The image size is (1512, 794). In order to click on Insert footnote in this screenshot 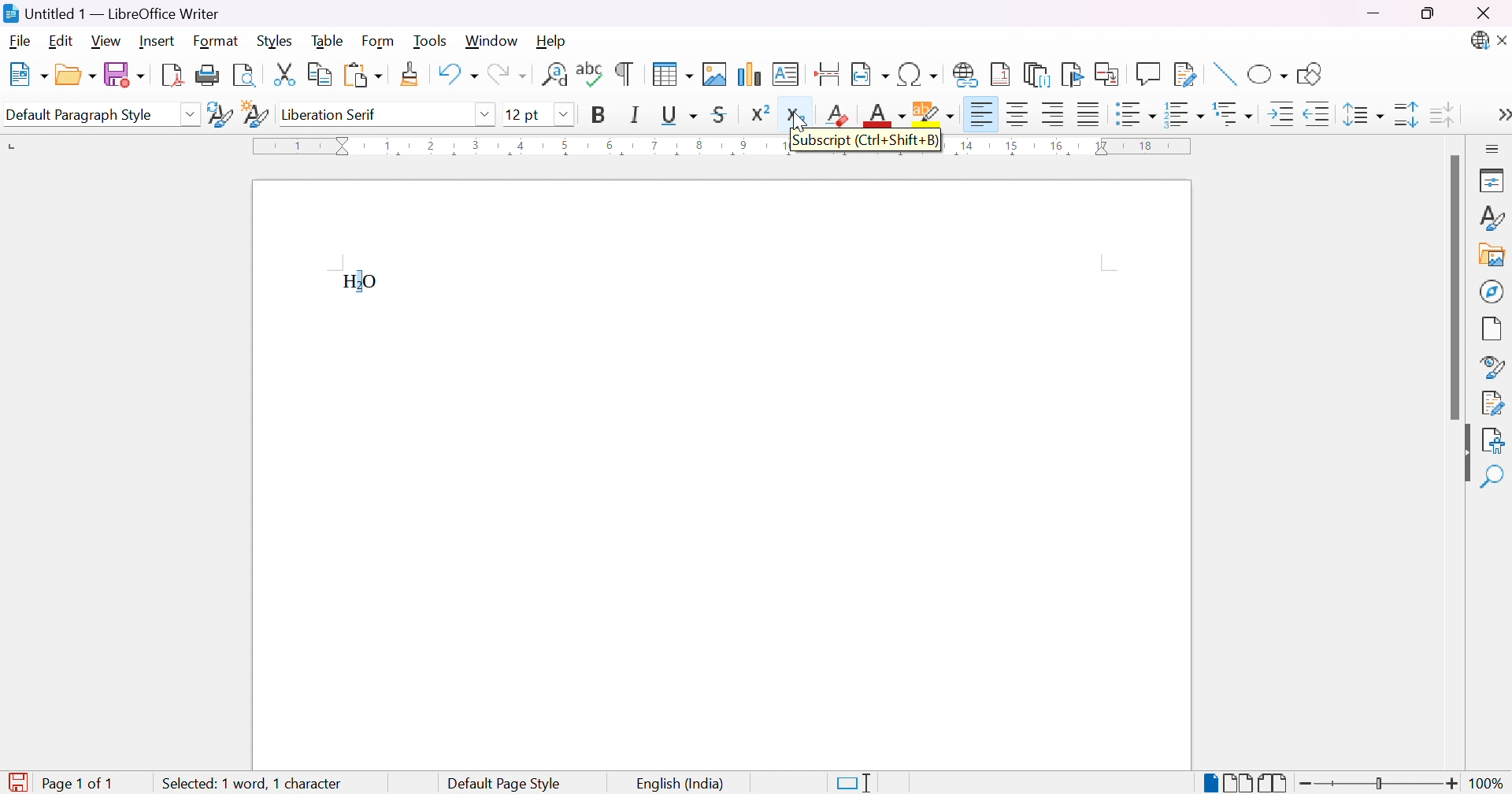, I will do `click(1001, 73)`.